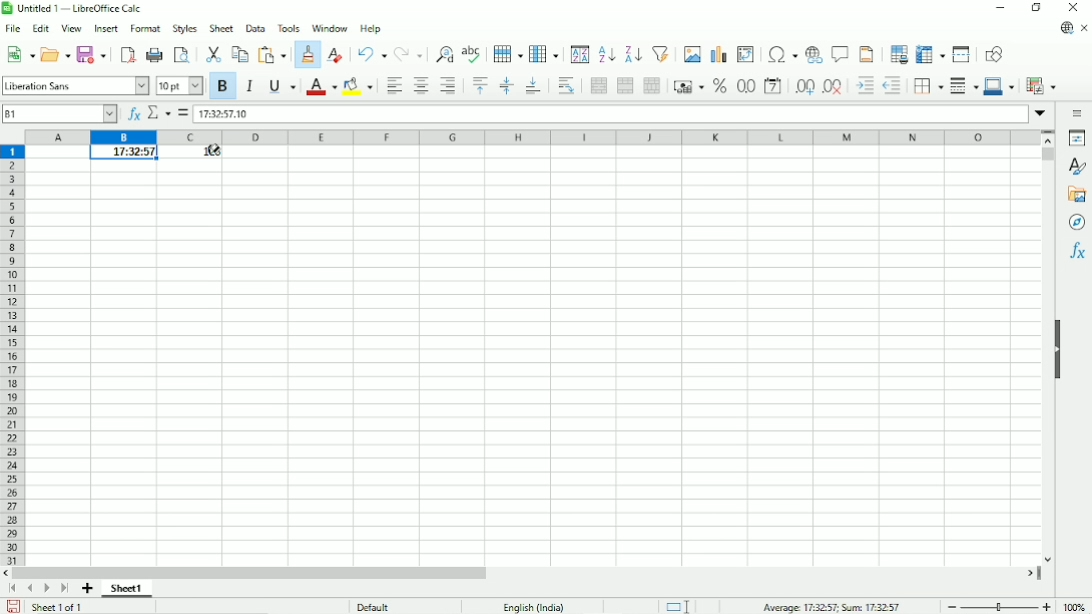 This screenshot has height=614, width=1092. What do you see at coordinates (746, 87) in the screenshot?
I see `Format as number` at bounding box center [746, 87].